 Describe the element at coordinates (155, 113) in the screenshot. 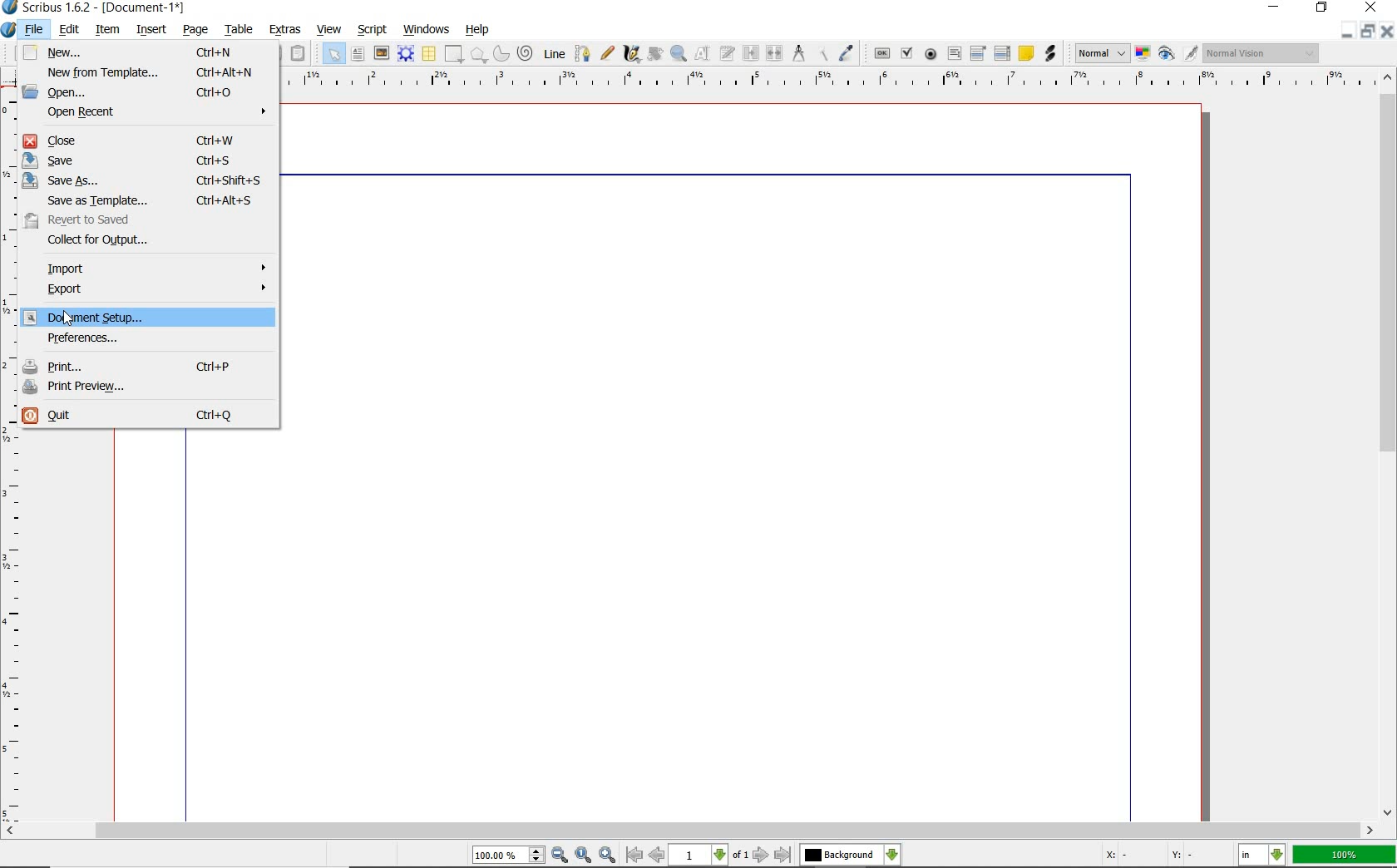

I see `Open recent` at that location.